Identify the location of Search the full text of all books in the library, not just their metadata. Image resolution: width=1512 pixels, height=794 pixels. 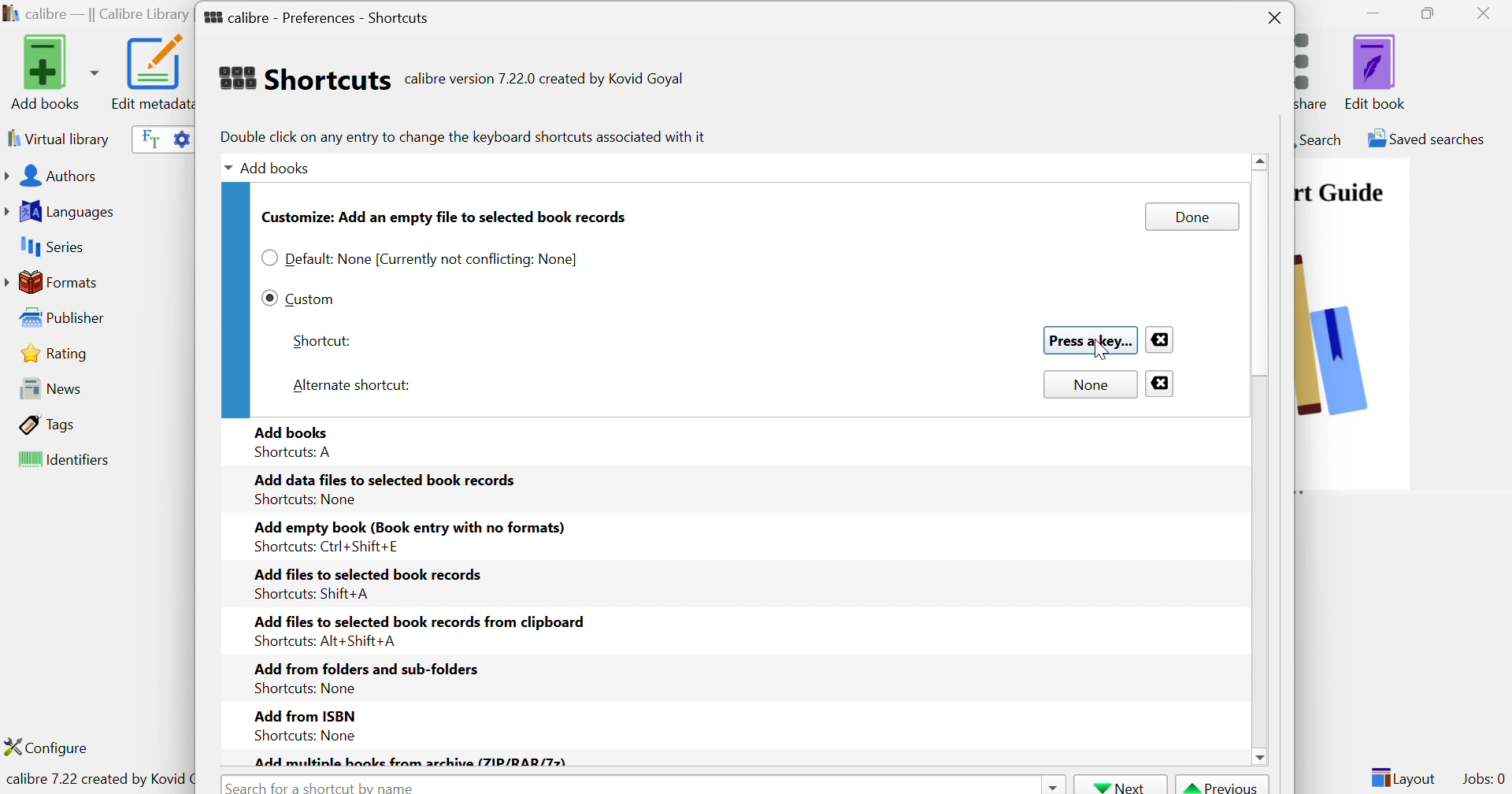
(147, 138).